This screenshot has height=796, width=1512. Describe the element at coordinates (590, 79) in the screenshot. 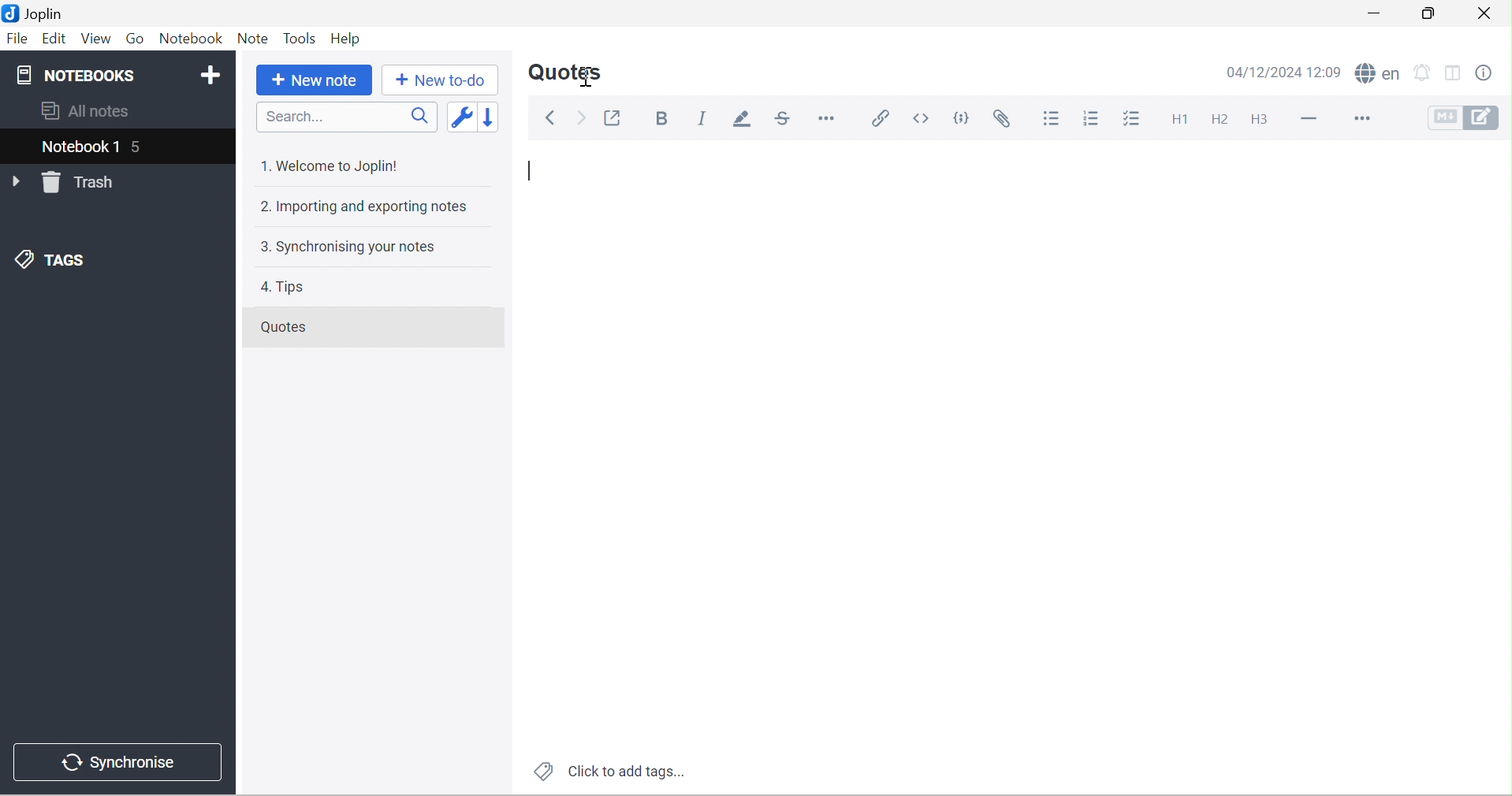

I see `Cursor` at that location.